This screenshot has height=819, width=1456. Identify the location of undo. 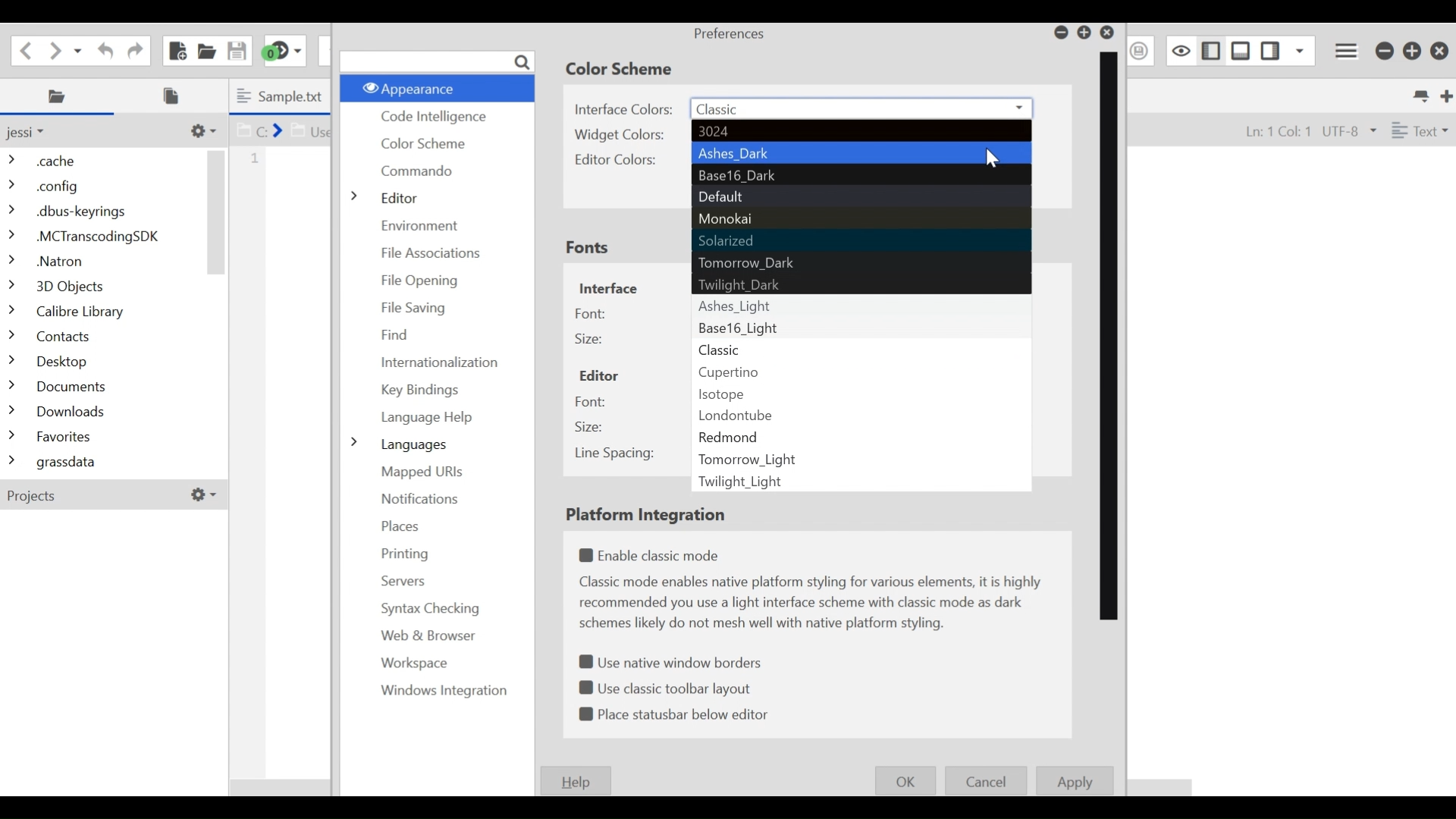
(102, 49).